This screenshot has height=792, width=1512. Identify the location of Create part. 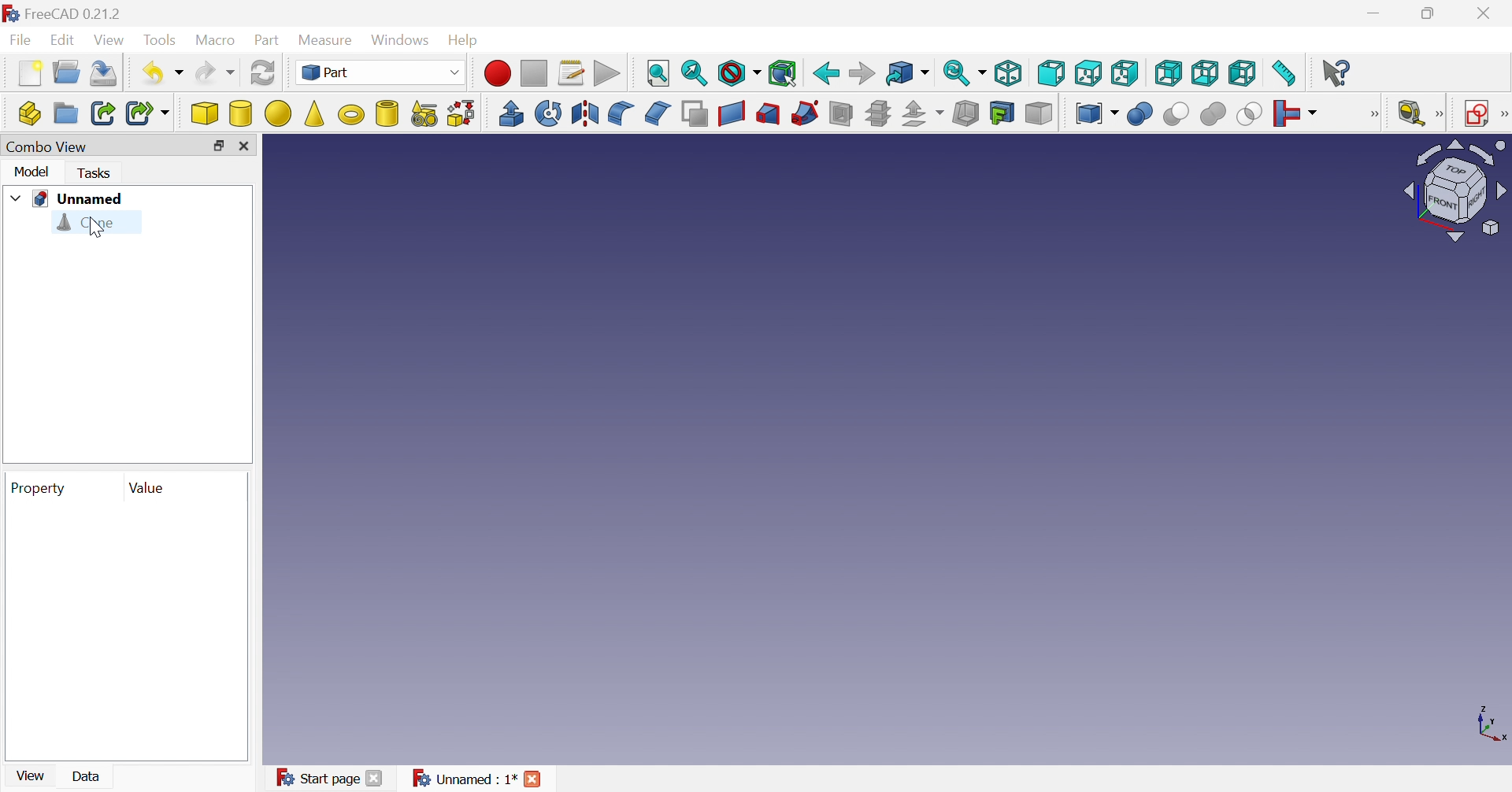
(29, 113).